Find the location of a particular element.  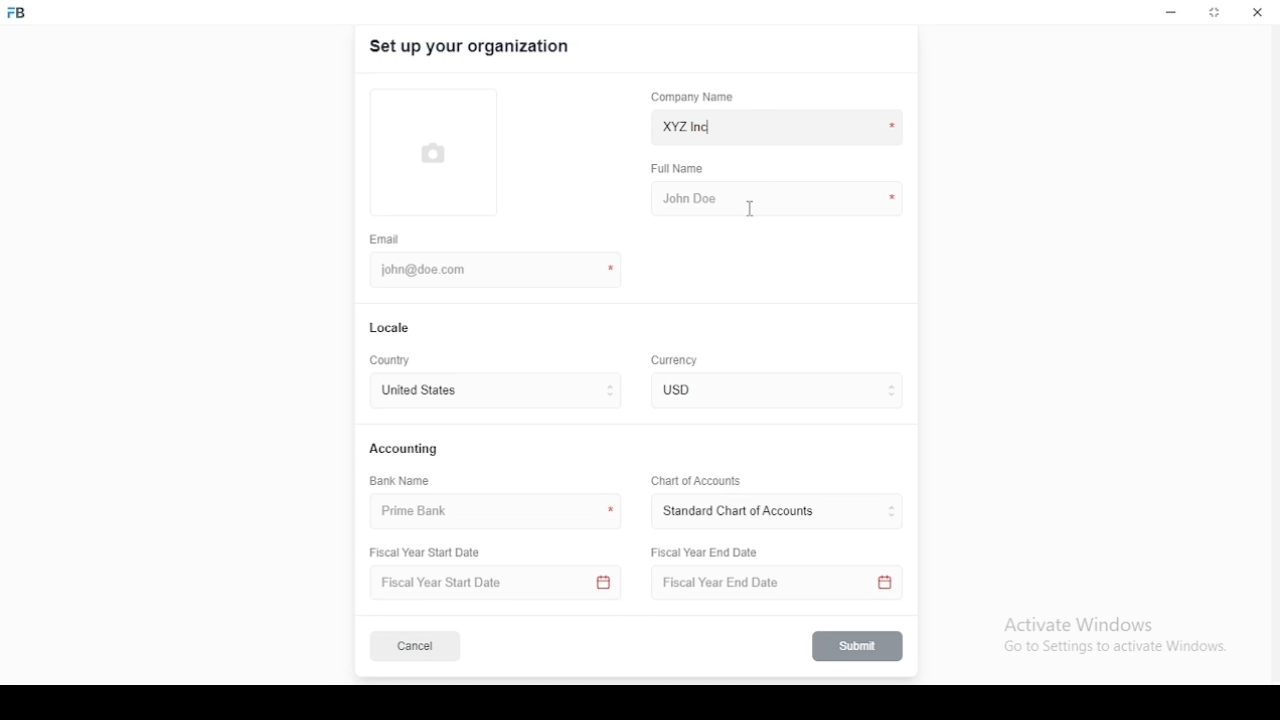

set up your organization is located at coordinates (471, 47).